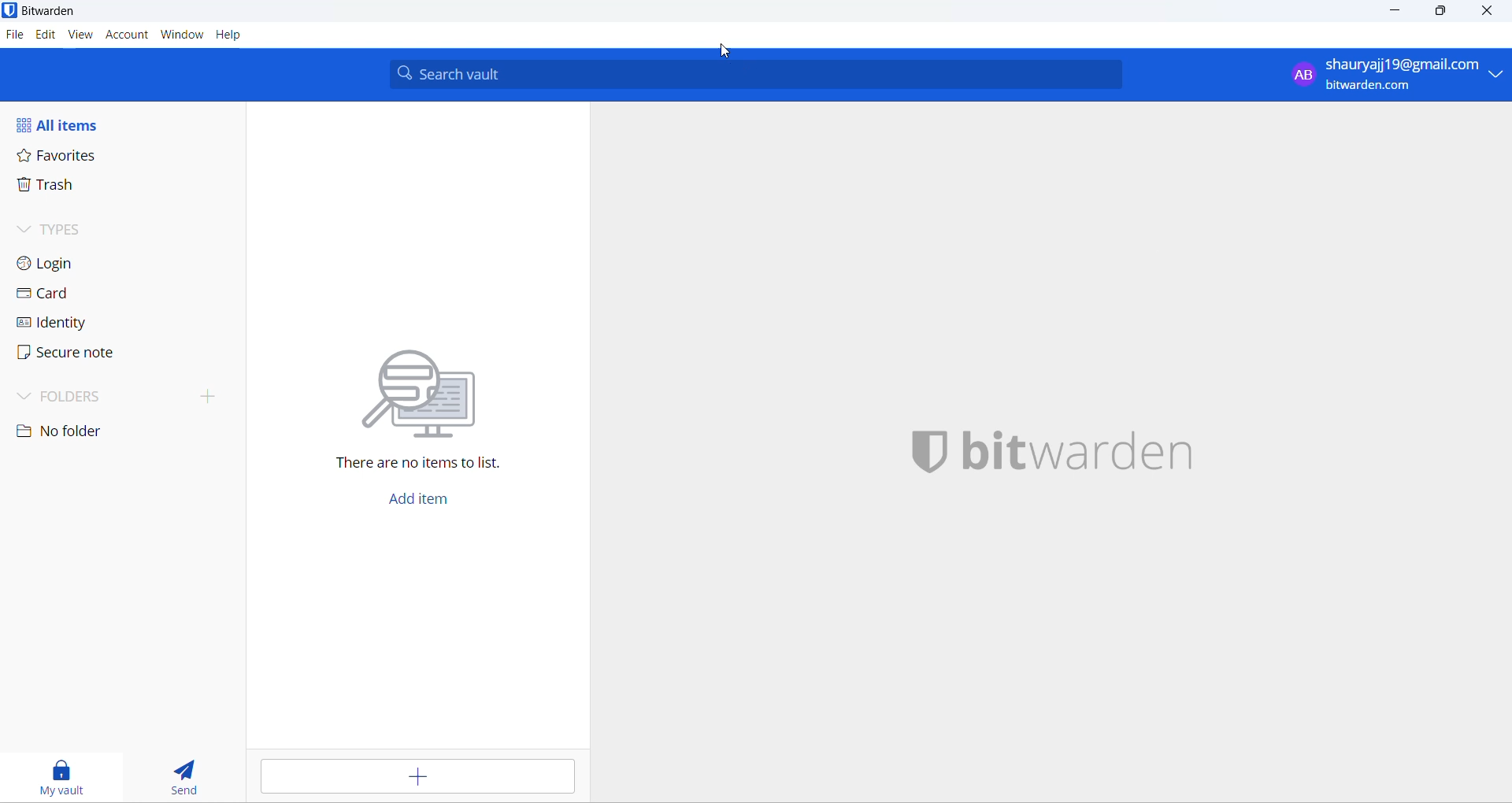 This screenshot has width=1512, height=803. I want to click on folder, so click(120, 398).